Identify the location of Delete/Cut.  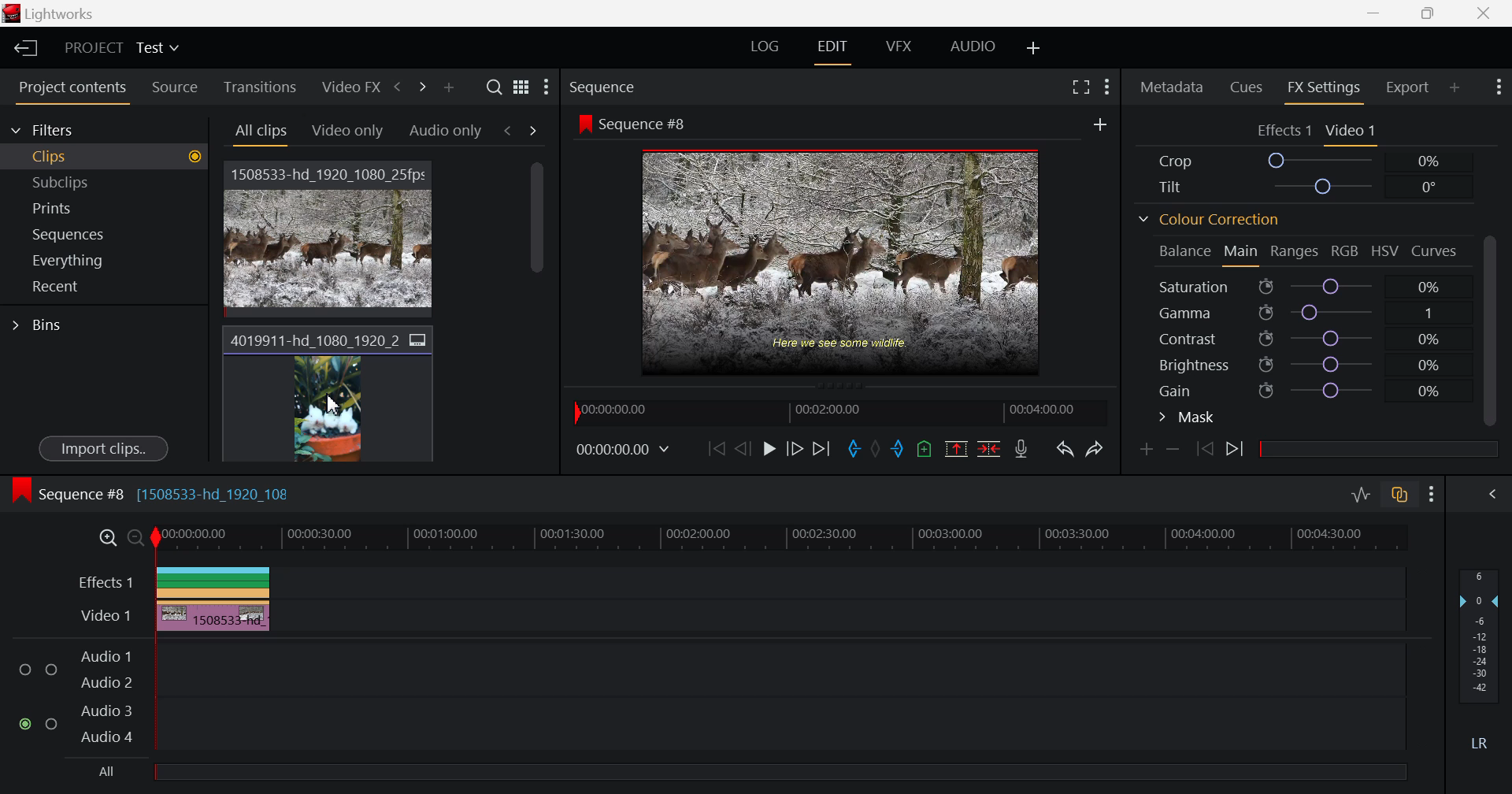
(988, 451).